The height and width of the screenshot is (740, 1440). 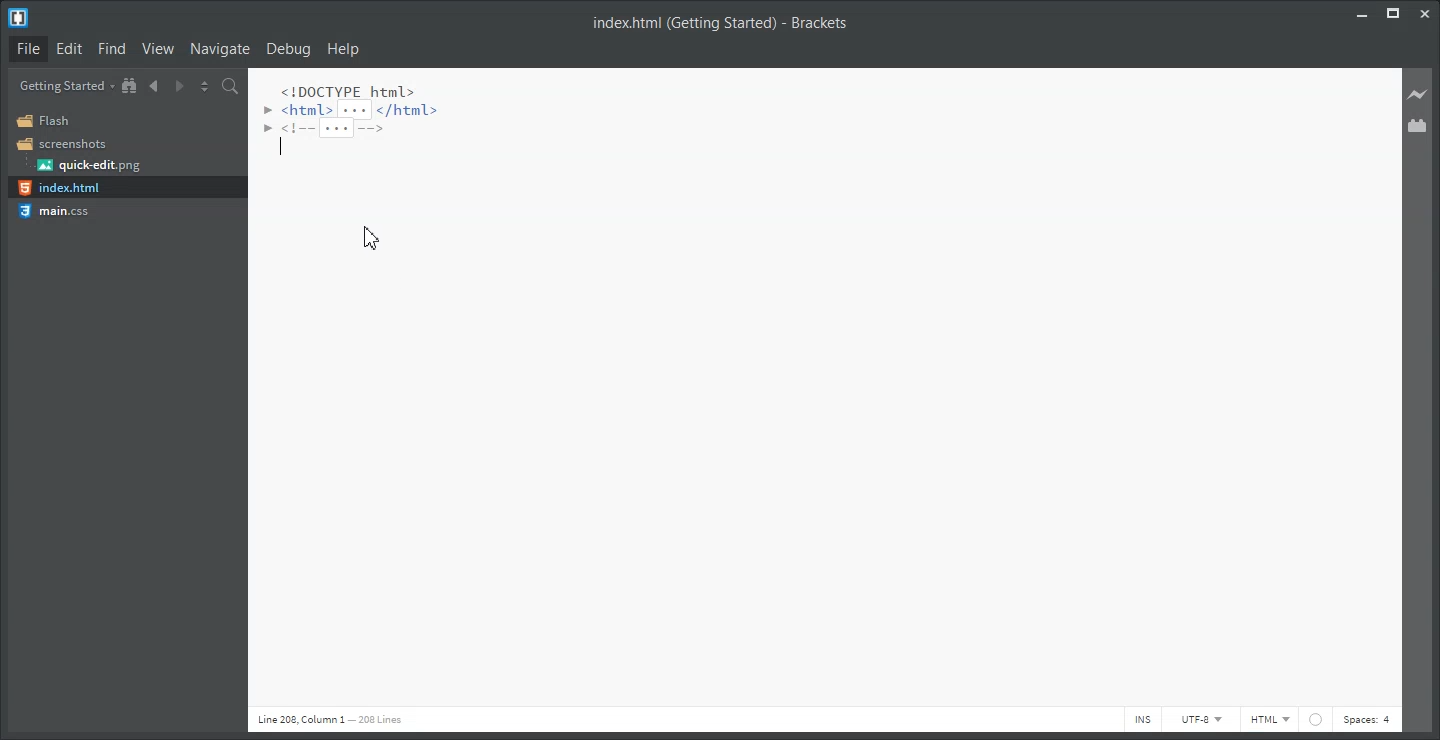 What do you see at coordinates (179, 86) in the screenshot?
I see `Navigate Forward` at bounding box center [179, 86].